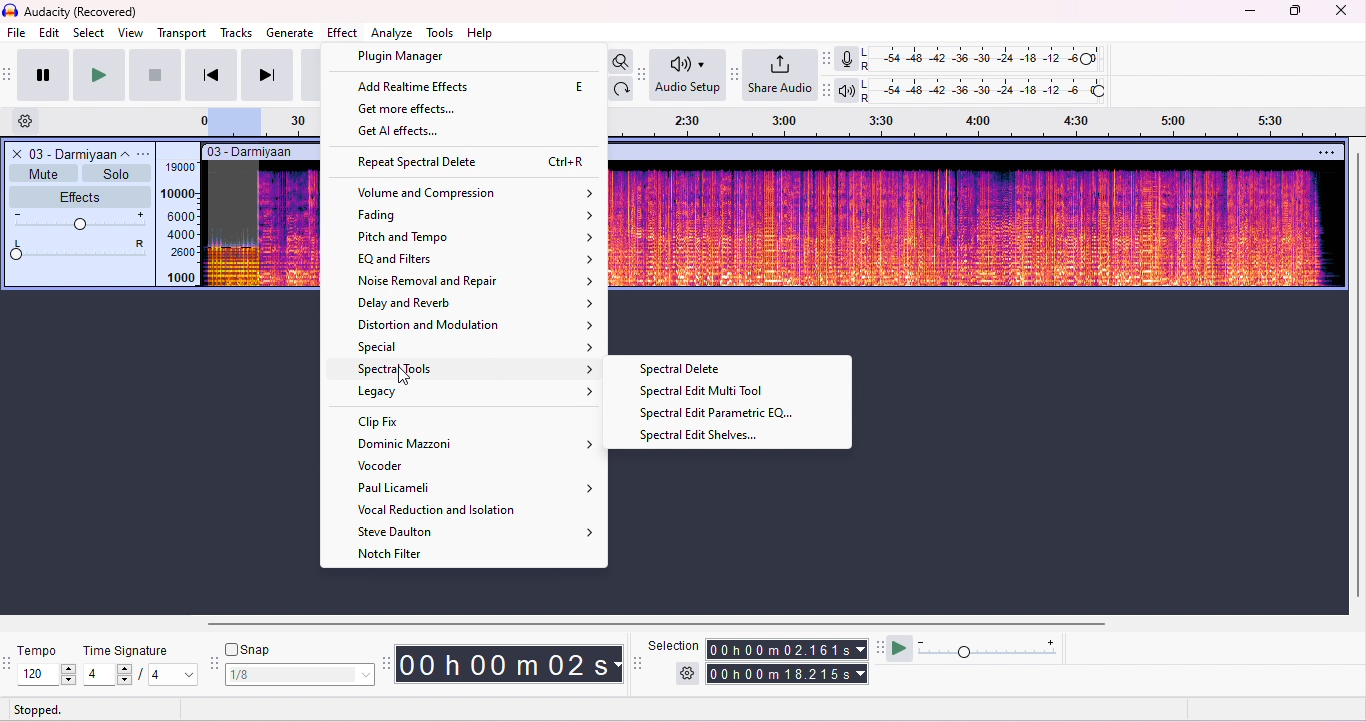 Image resolution: width=1366 pixels, height=722 pixels. Describe the element at coordinates (476, 163) in the screenshot. I see `repeat spectral delete` at that location.